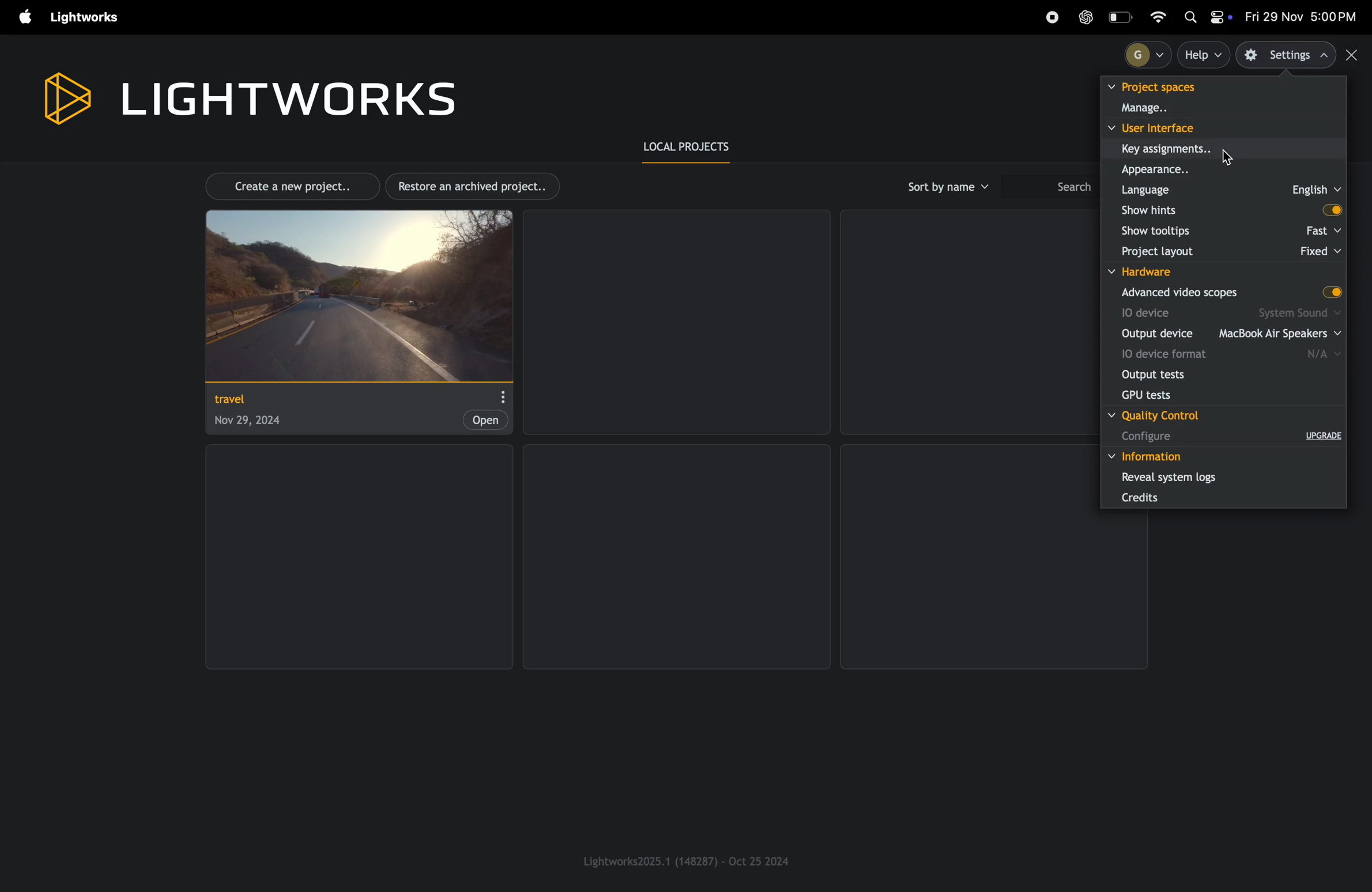  Describe the element at coordinates (695, 148) in the screenshot. I see `local prroject` at that location.